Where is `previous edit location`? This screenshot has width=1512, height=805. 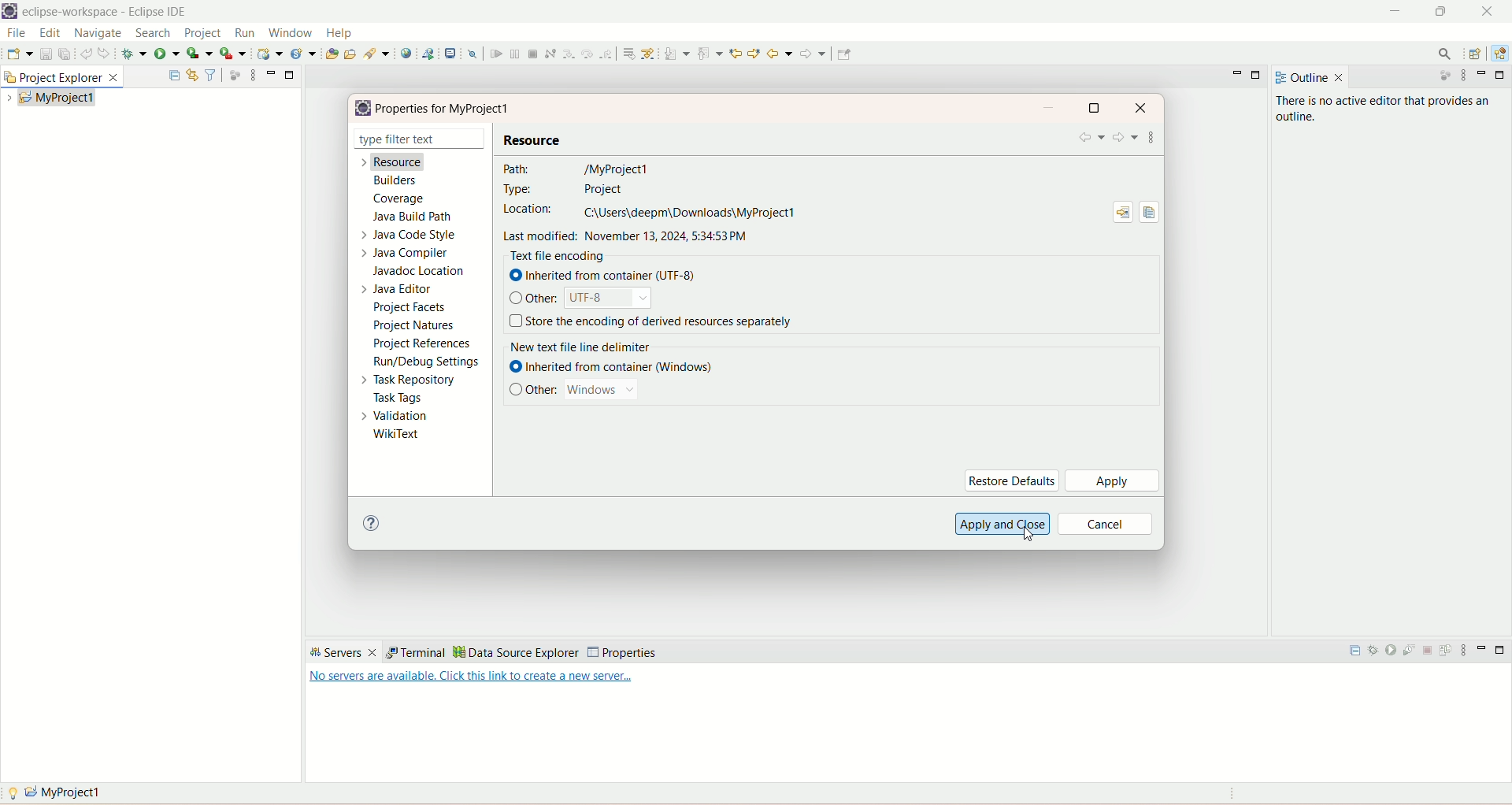 previous edit location is located at coordinates (754, 54).